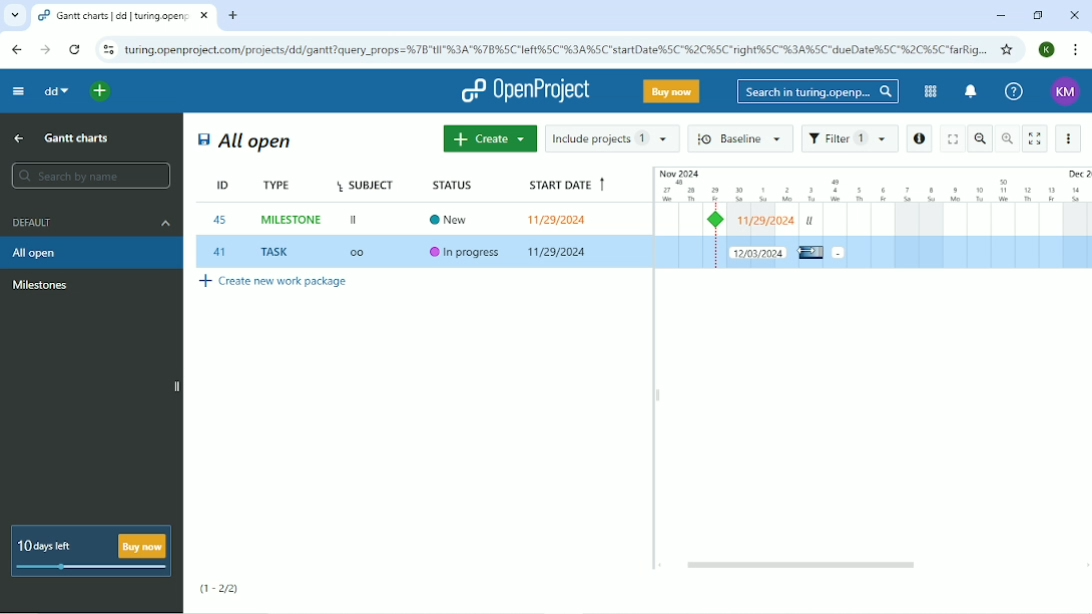 The height and width of the screenshot is (614, 1092). I want to click on Resize, so click(658, 395).